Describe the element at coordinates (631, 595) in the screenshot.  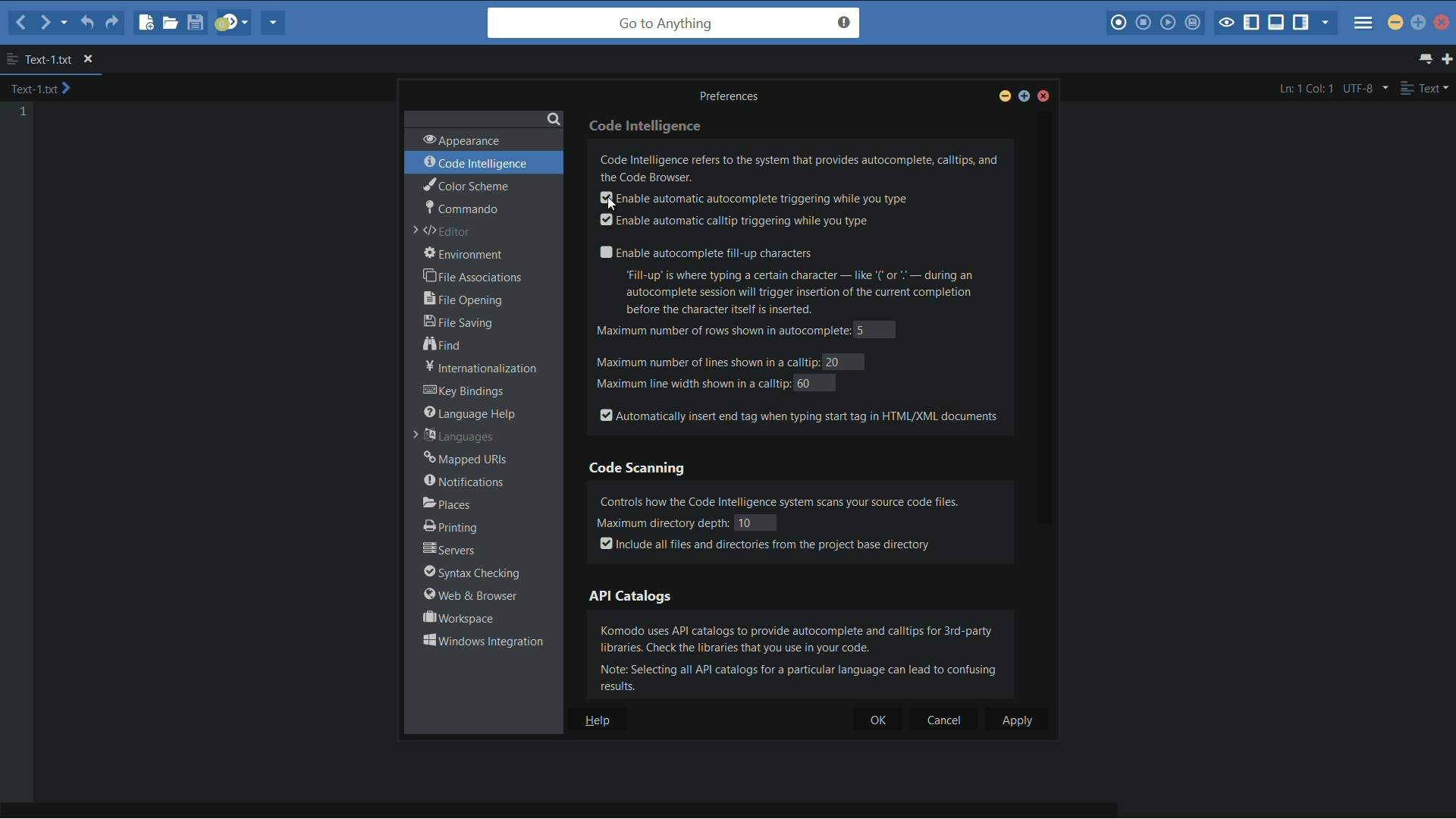
I see `api catalogs` at that location.